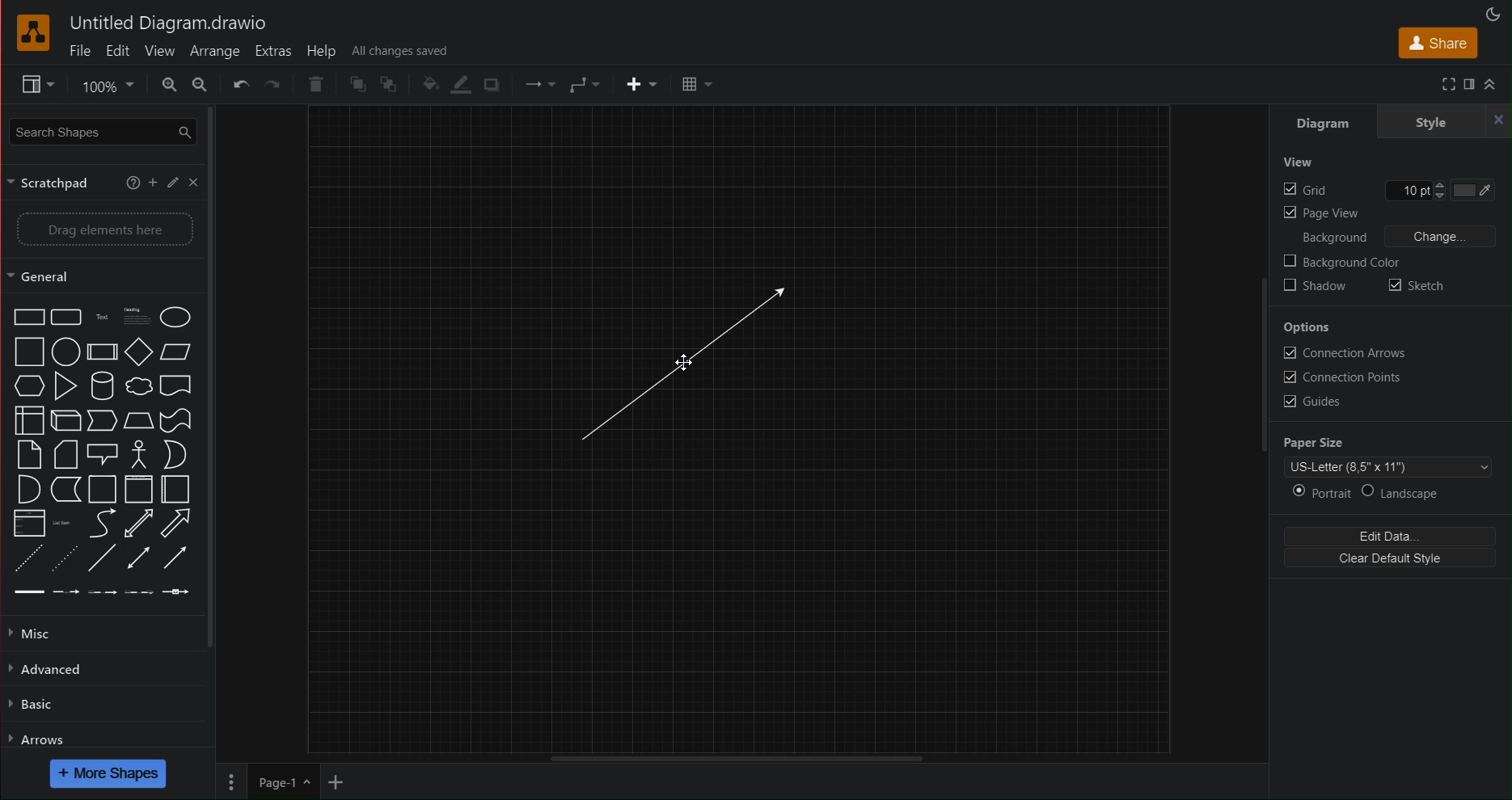 The image size is (1512, 800). I want to click on View, so click(1298, 165).